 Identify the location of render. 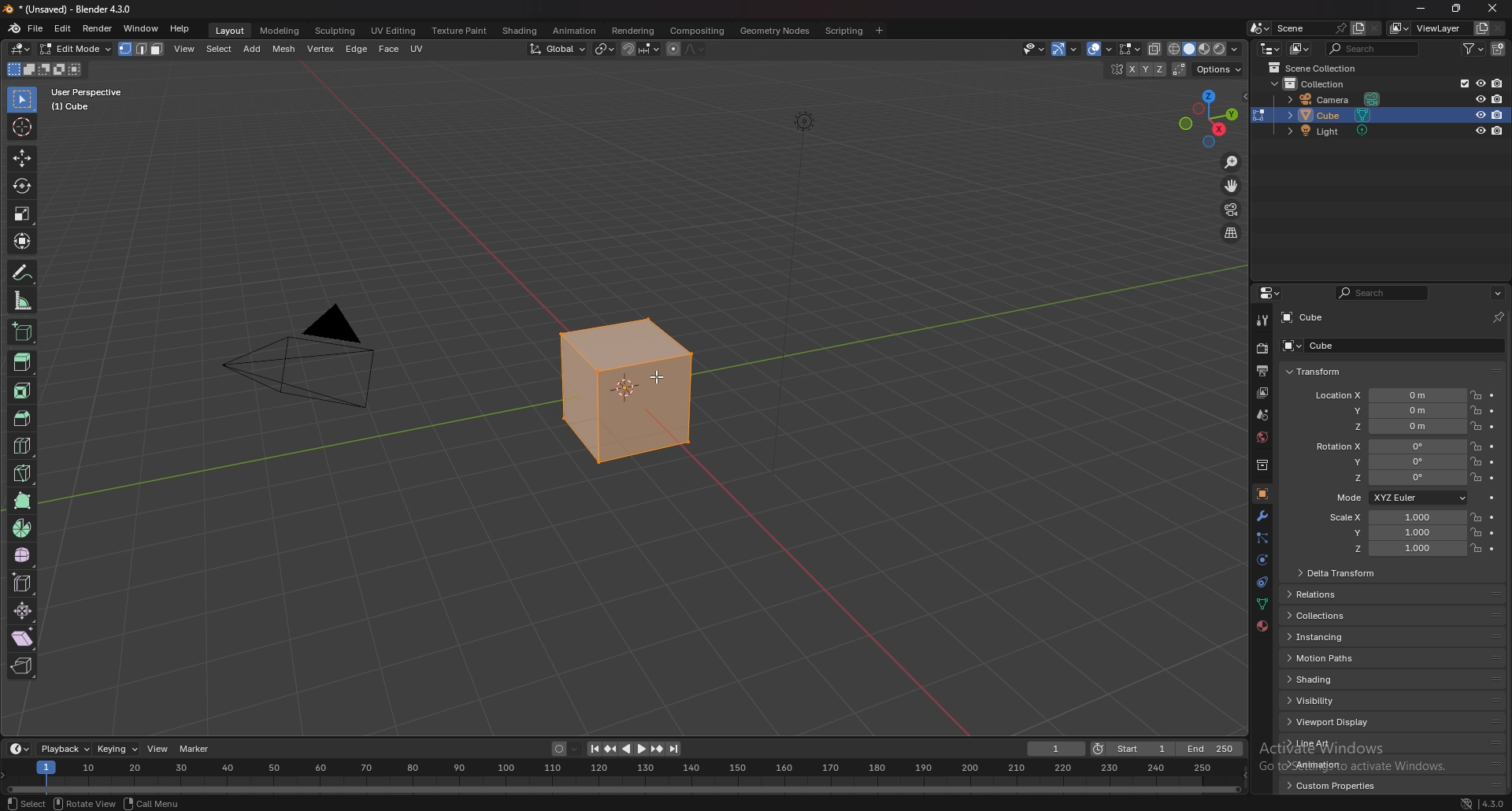
(97, 28).